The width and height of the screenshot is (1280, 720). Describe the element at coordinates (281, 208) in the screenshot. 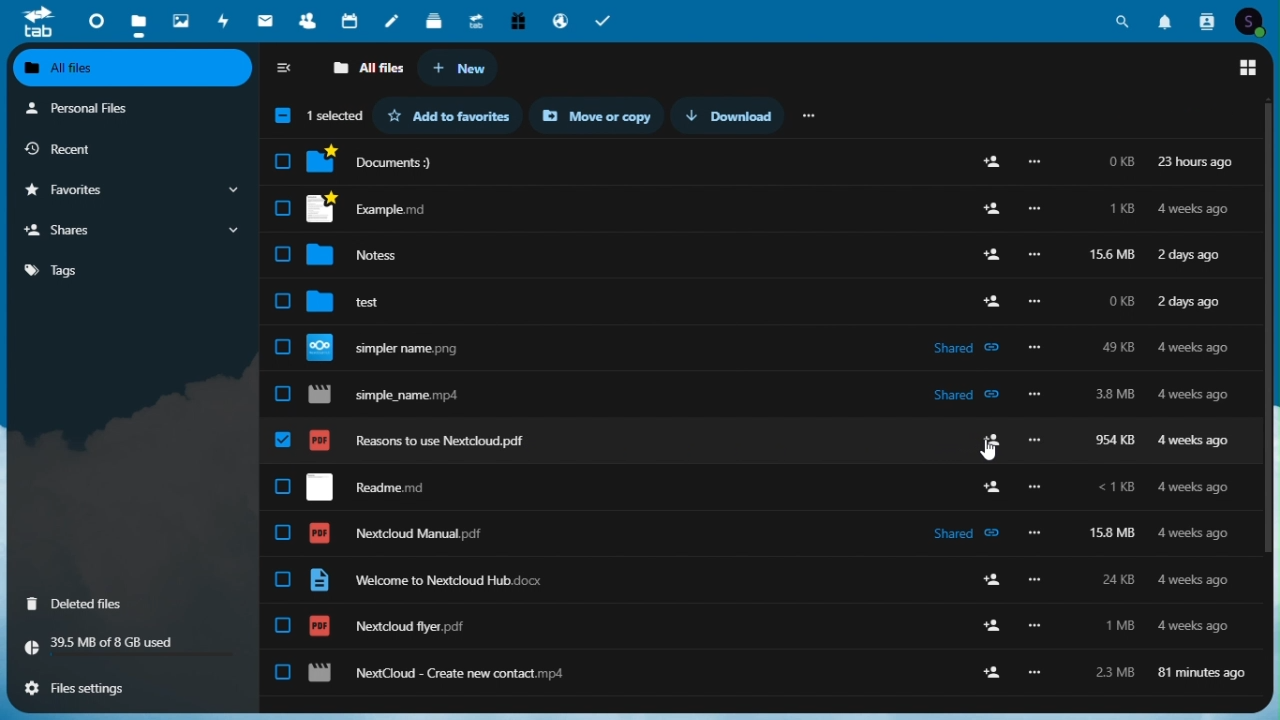

I see `` at that location.